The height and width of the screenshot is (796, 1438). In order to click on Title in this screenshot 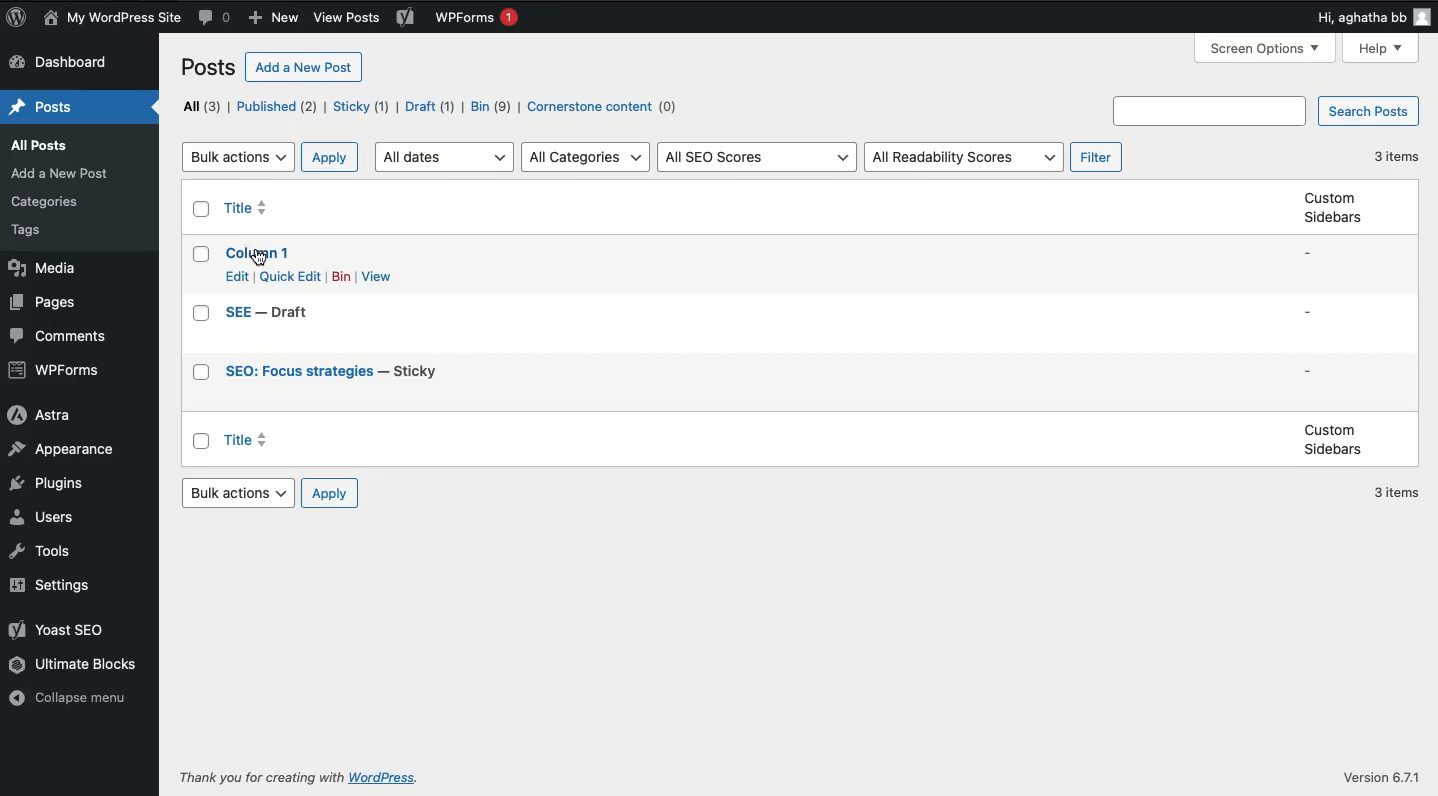, I will do `click(331, 371)`.